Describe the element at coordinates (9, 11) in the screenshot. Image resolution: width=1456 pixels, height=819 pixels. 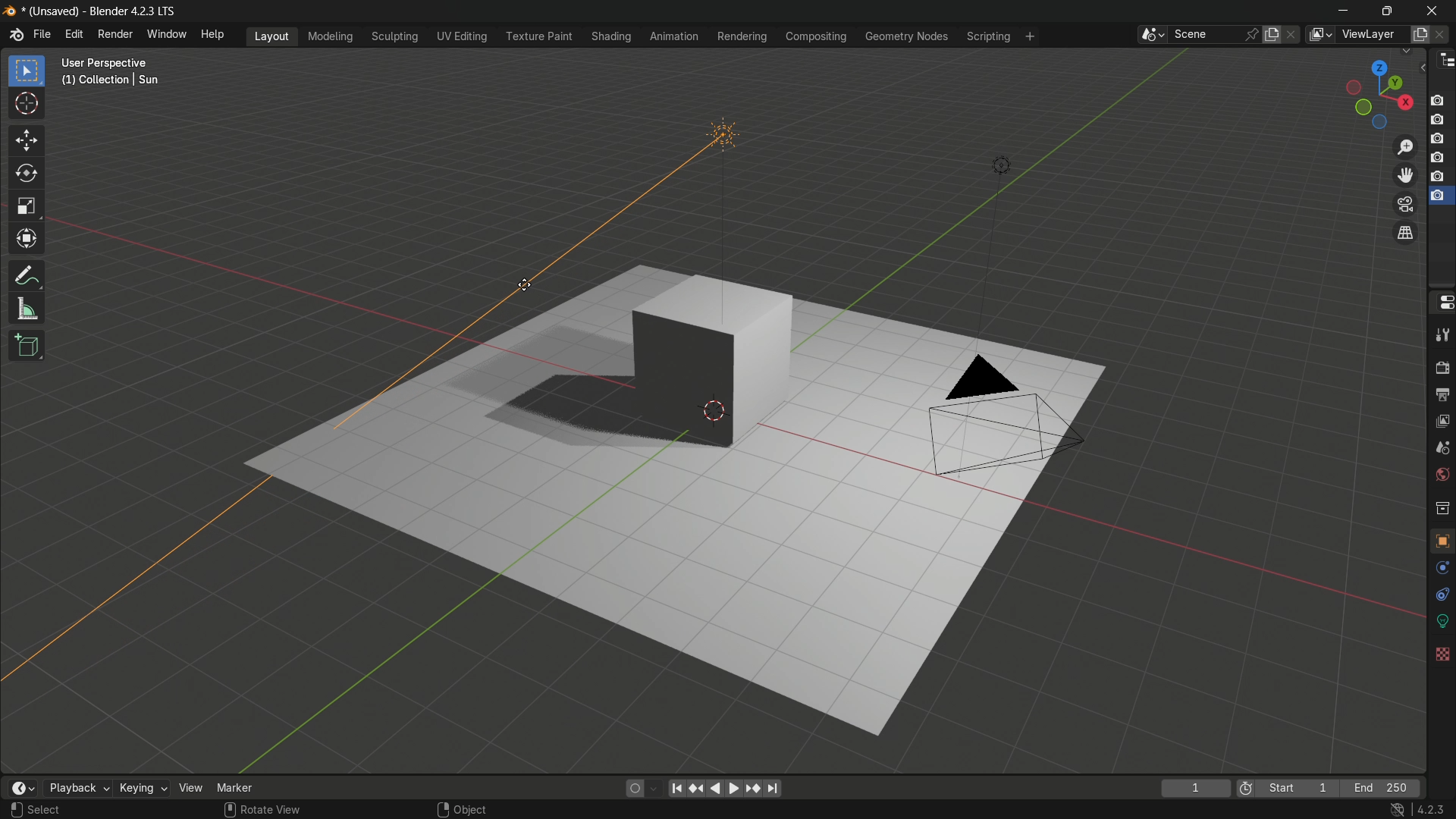
I see `logo` at that location.